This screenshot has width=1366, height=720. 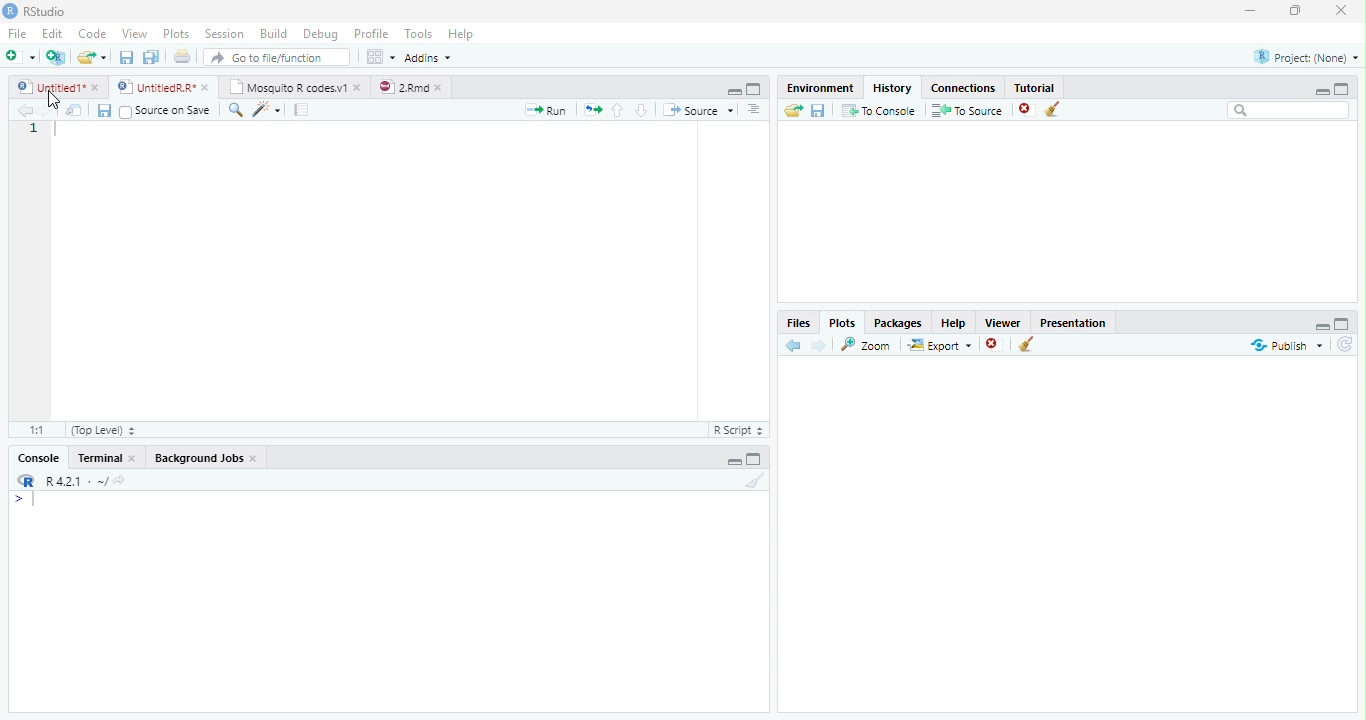 What do you see at coordinates (1344, 324) in the screenshot?
I see `Full Height` at bounding box center [1344, 324].